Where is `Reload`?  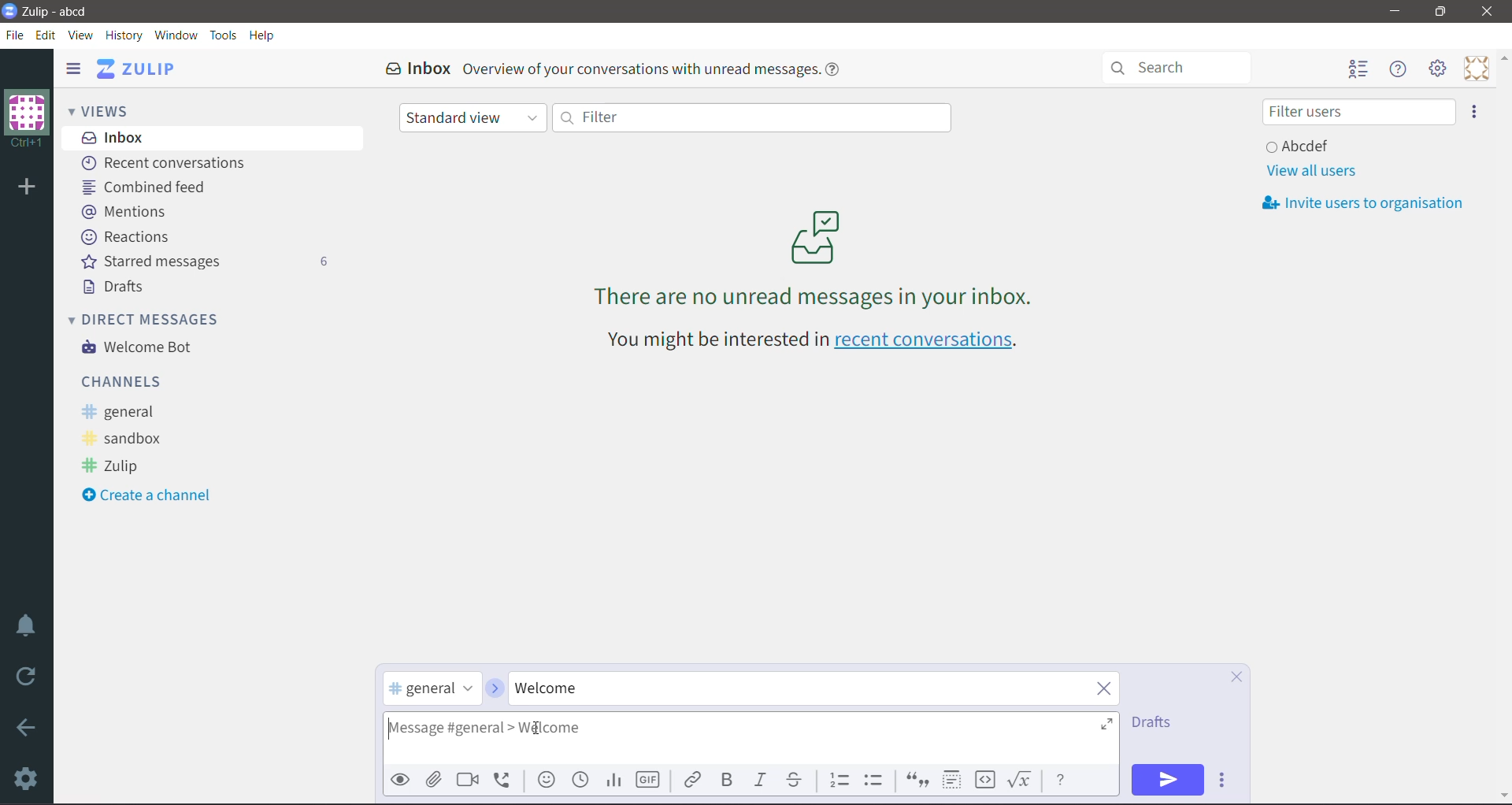 Reload is located at coordinates (29, 677).